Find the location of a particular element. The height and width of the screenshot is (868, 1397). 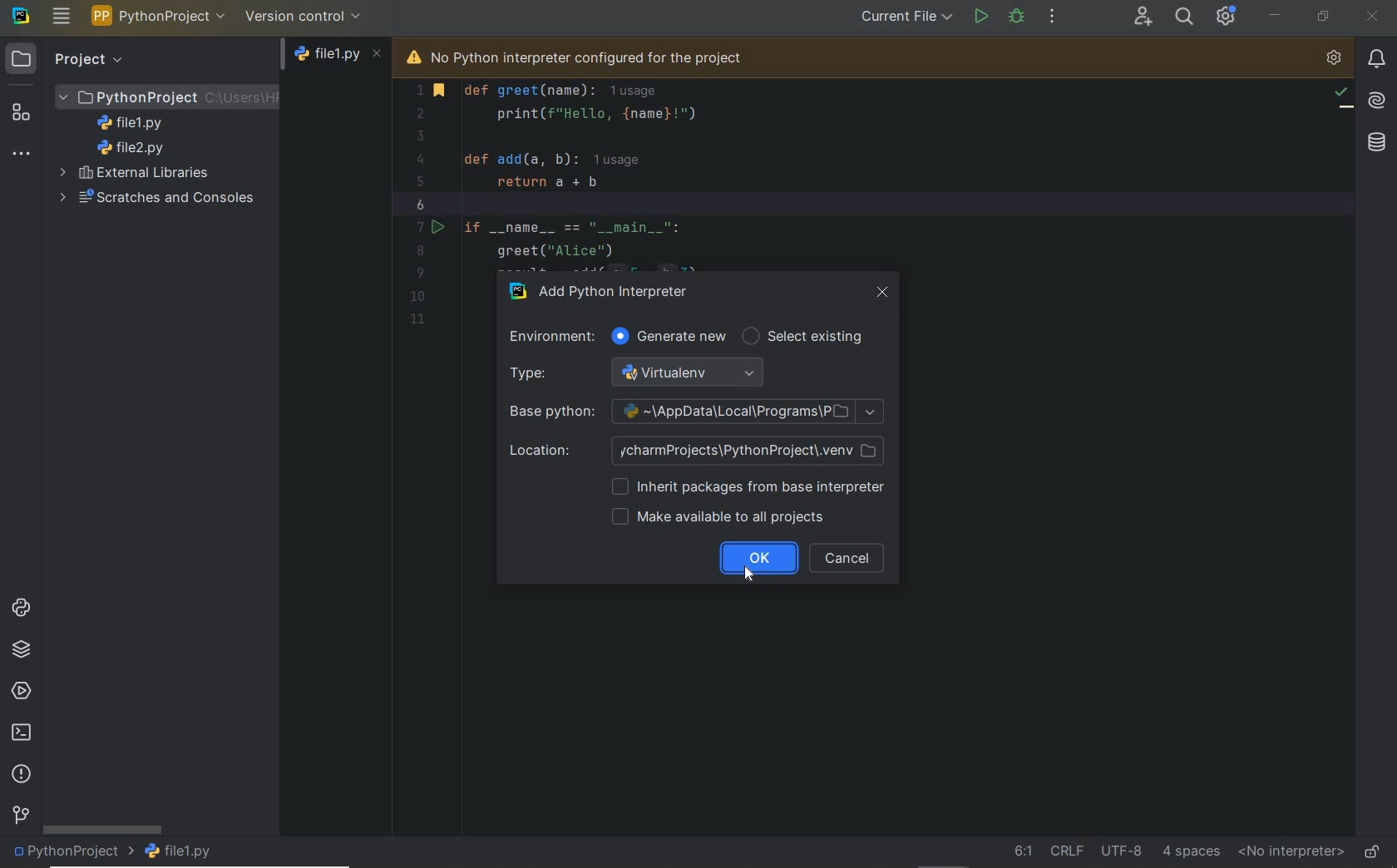

Ide and Project Settings is located at coordinates (1227, 18).